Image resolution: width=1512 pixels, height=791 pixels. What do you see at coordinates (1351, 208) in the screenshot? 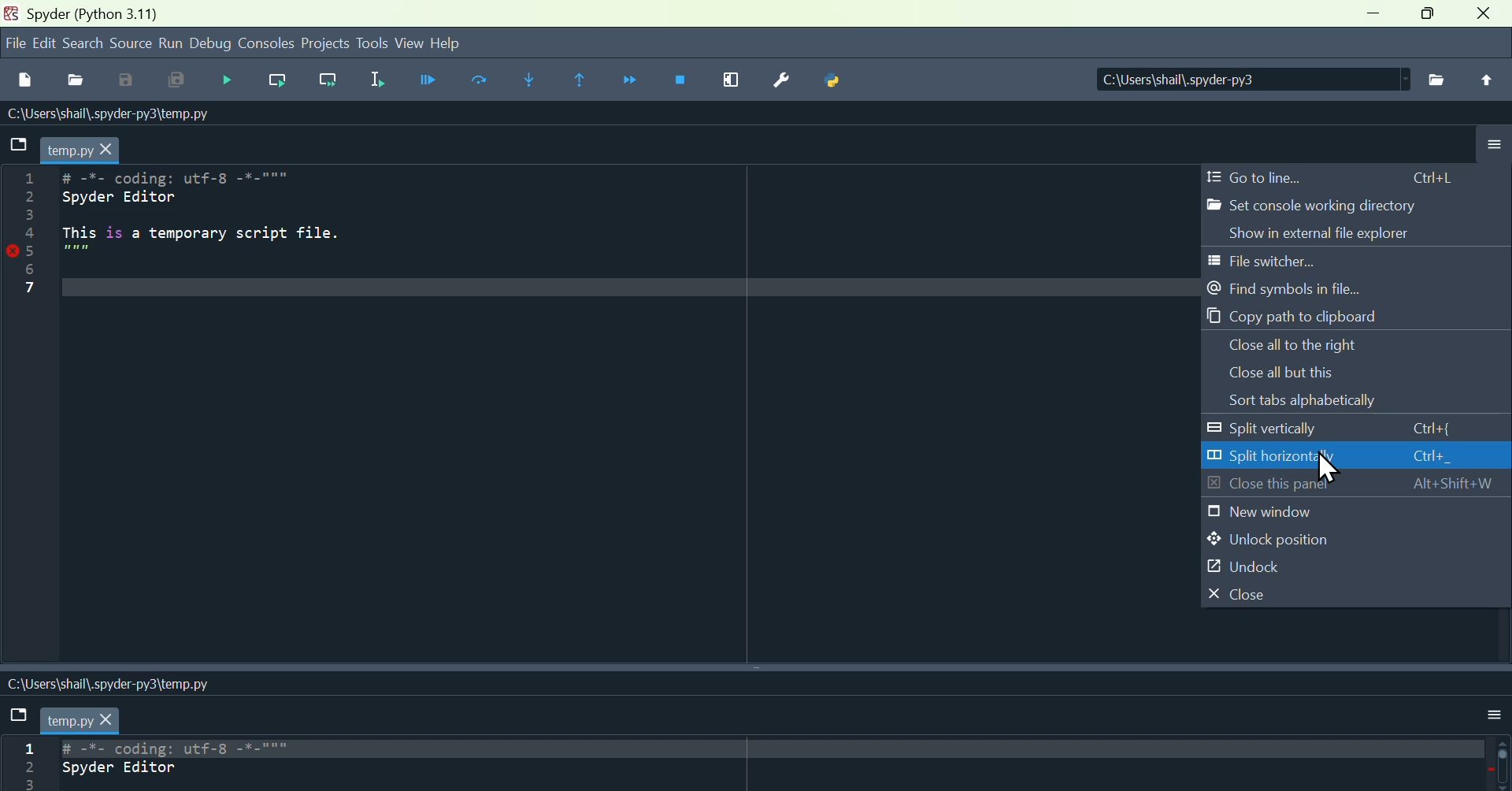
I see `Set console working directory` at bounding box center [1351, 208].